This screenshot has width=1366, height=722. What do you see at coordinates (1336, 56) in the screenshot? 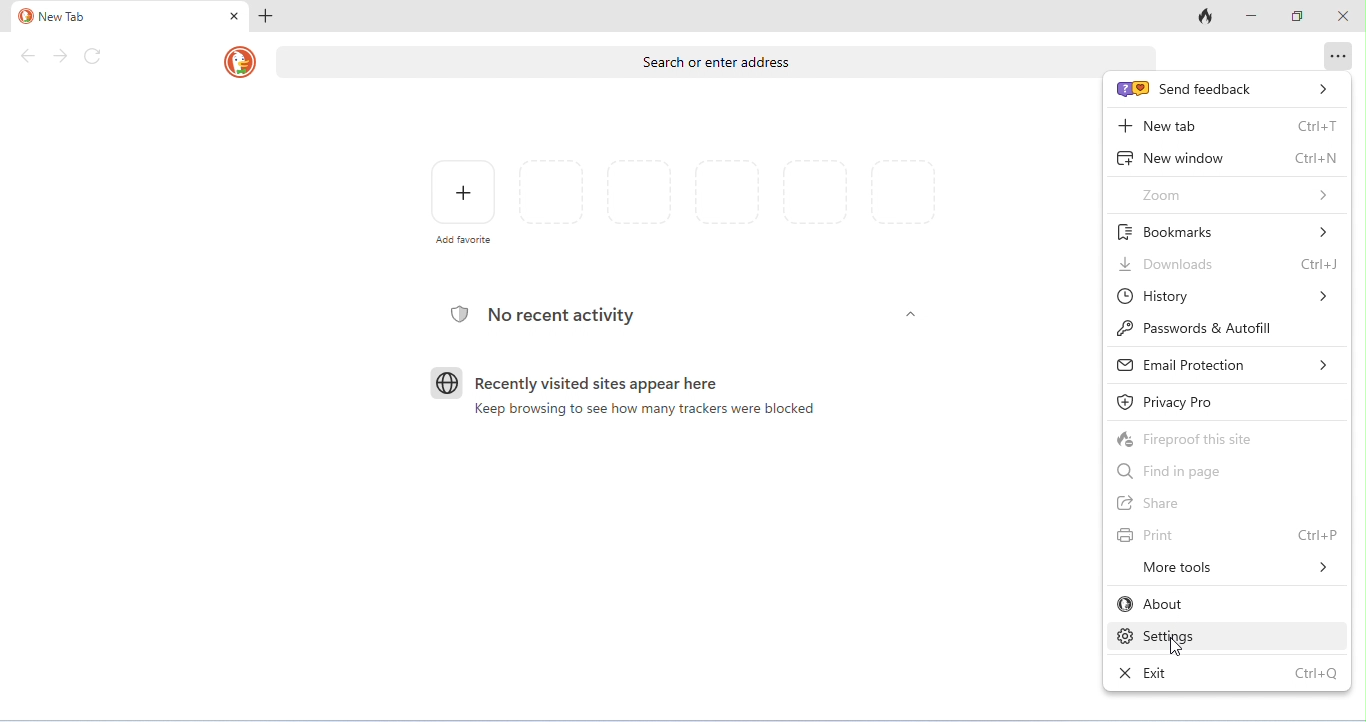
I see `send feedback, new tab, new window, settings and more` at bounding box center [1336, 56].